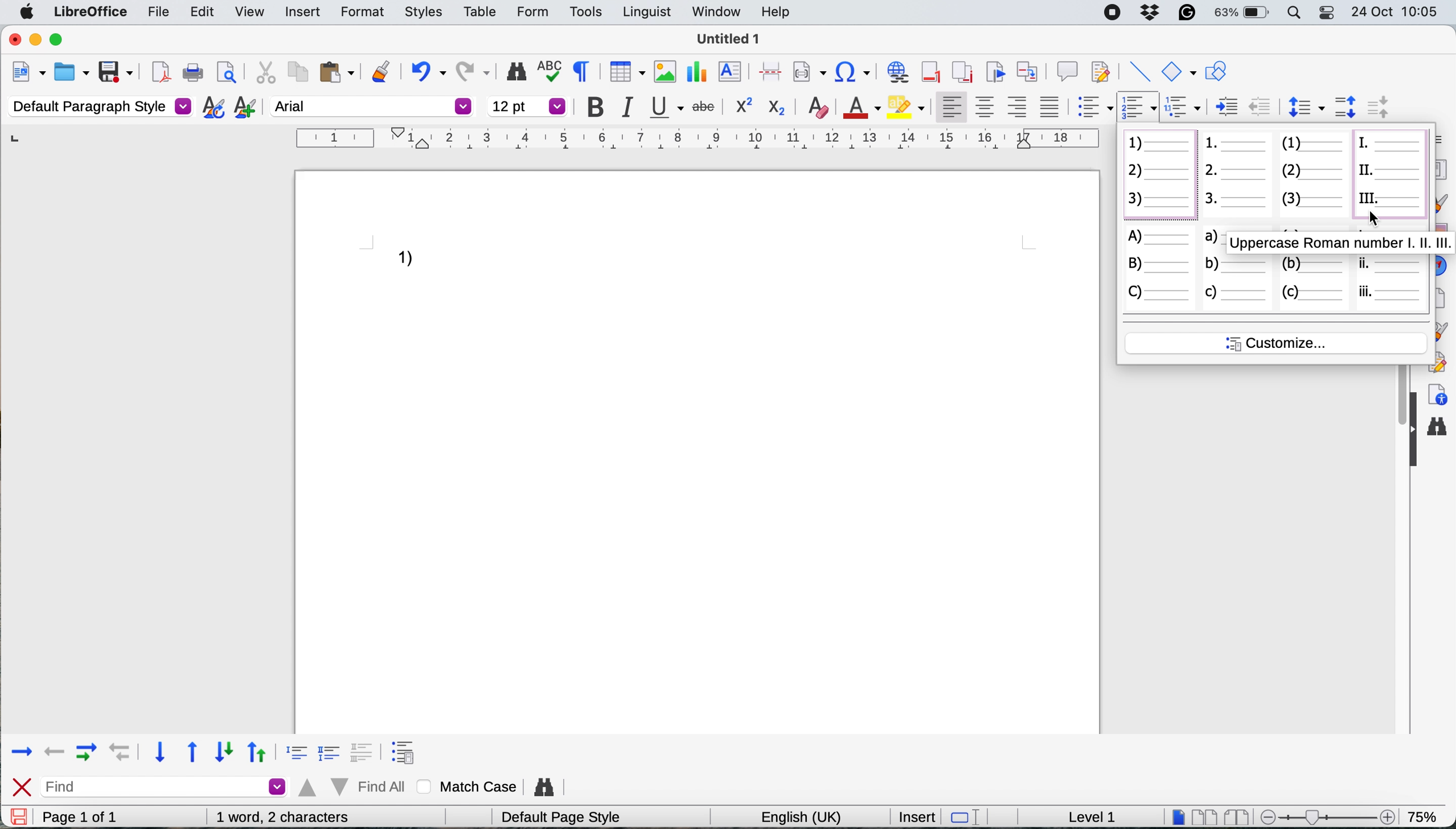 The width and height of the screenshot is (1456, 829). I want to click on insert cross reference, so click(1030, 69).